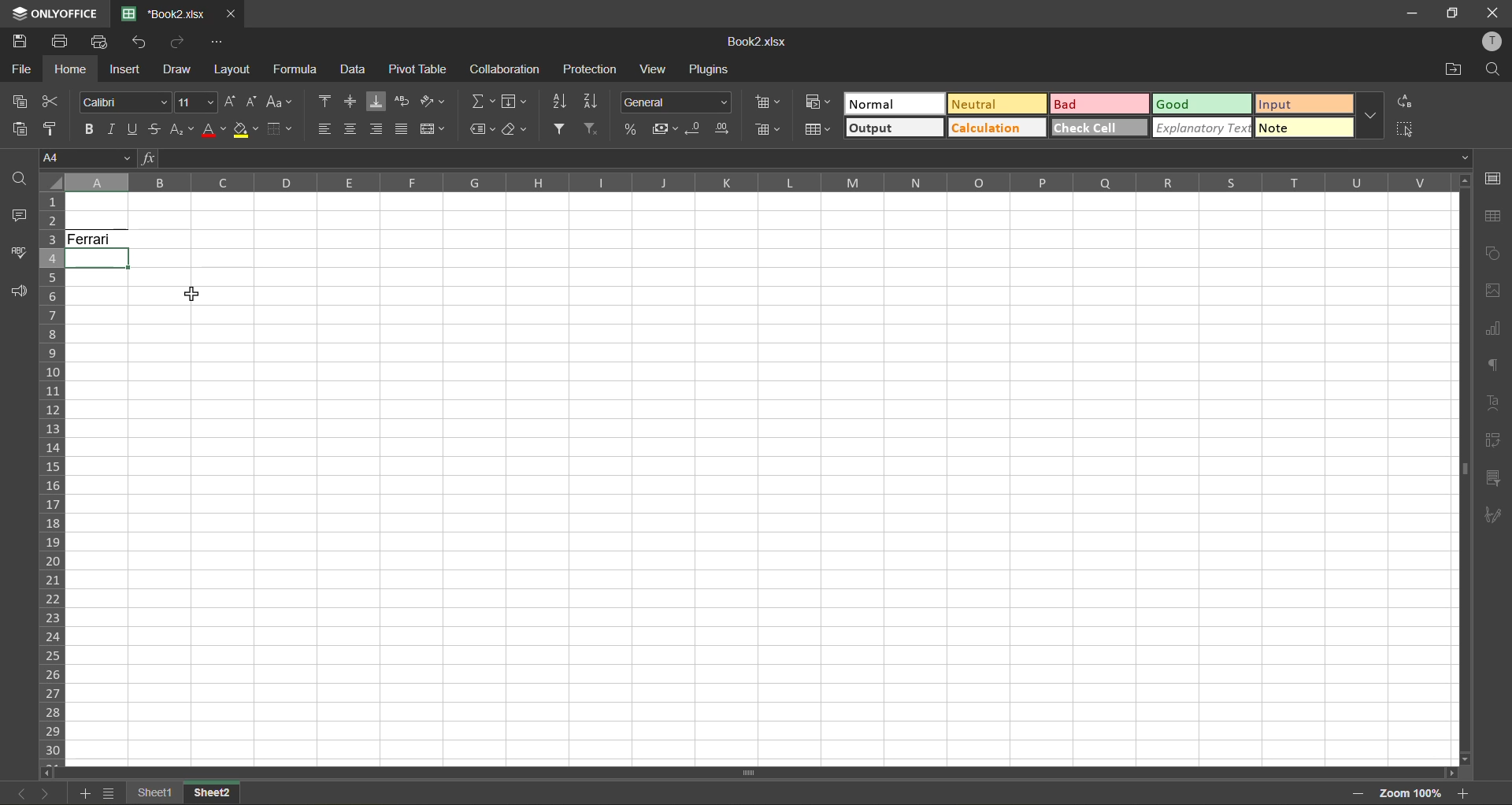 This screenshot has width=1512, height=805. Describe the element at coordinates (591, 69) in the screenshot. I see `protection` at that location.